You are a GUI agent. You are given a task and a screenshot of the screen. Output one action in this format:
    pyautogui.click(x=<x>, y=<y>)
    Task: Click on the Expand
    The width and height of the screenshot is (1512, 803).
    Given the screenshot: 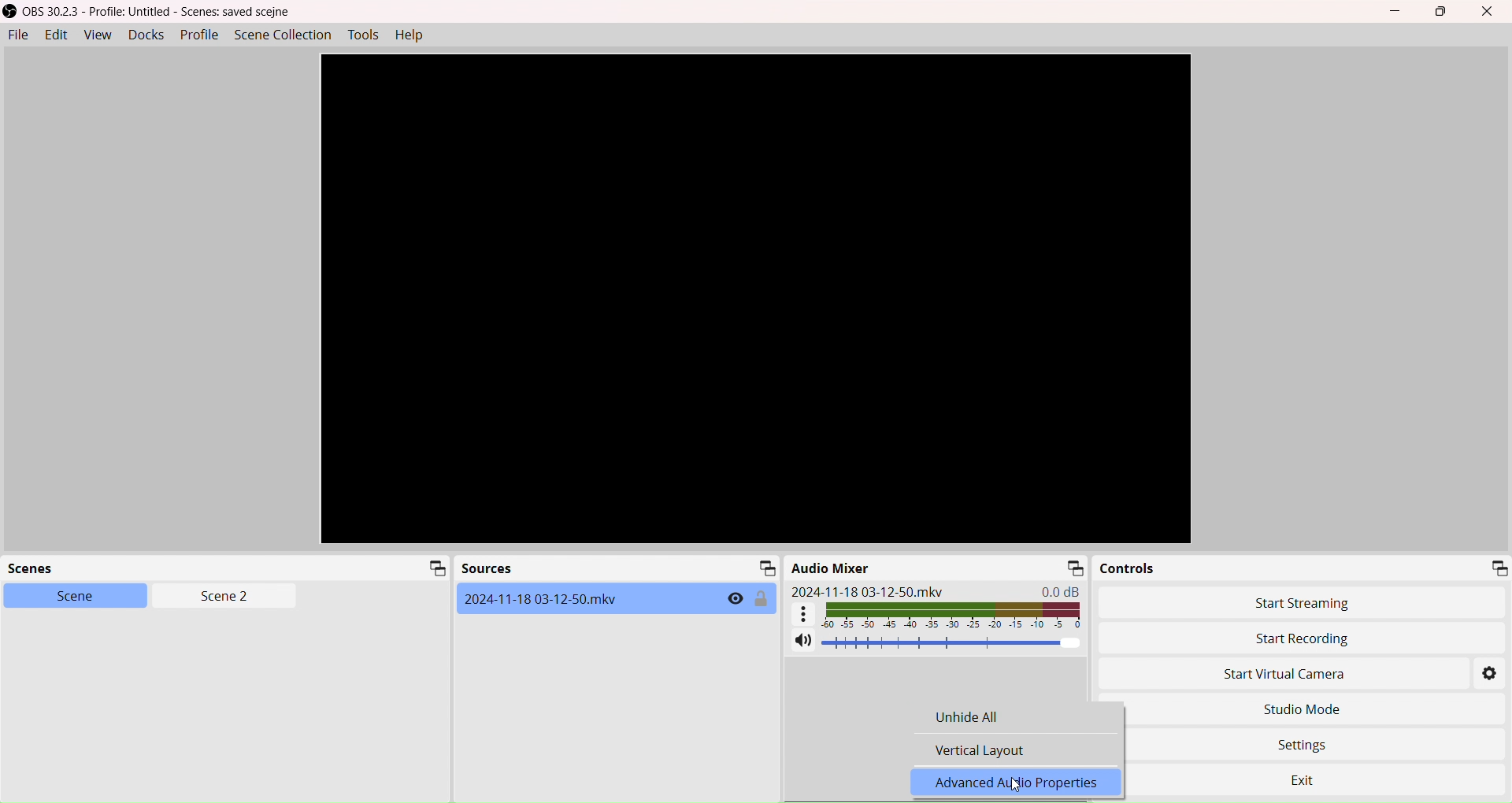 What is the action you would take?
    pyautogui.click(x=1498, y=567)
    